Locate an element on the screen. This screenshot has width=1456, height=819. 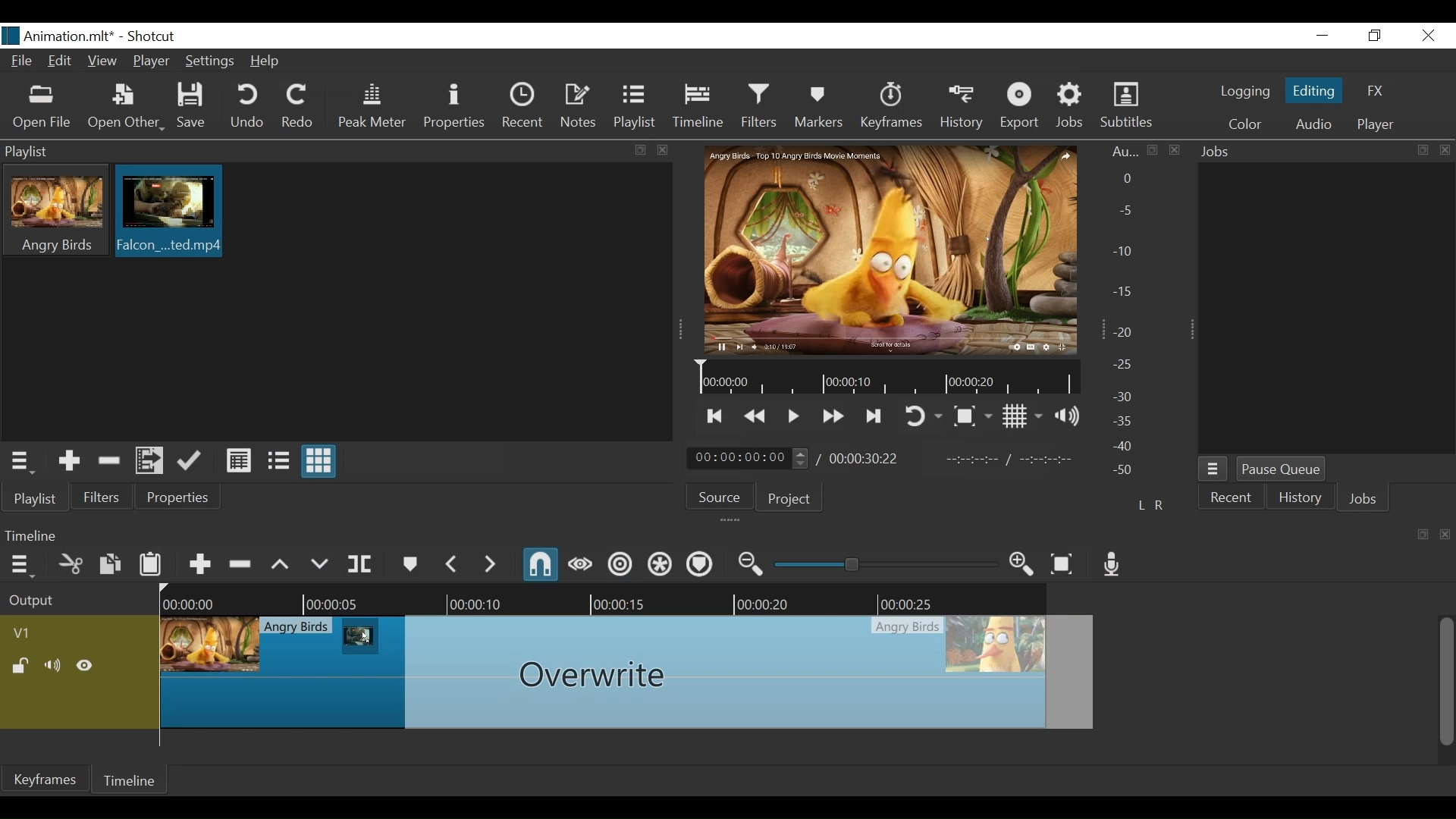
Zoom timeline out is located at coordinates (752, 564).